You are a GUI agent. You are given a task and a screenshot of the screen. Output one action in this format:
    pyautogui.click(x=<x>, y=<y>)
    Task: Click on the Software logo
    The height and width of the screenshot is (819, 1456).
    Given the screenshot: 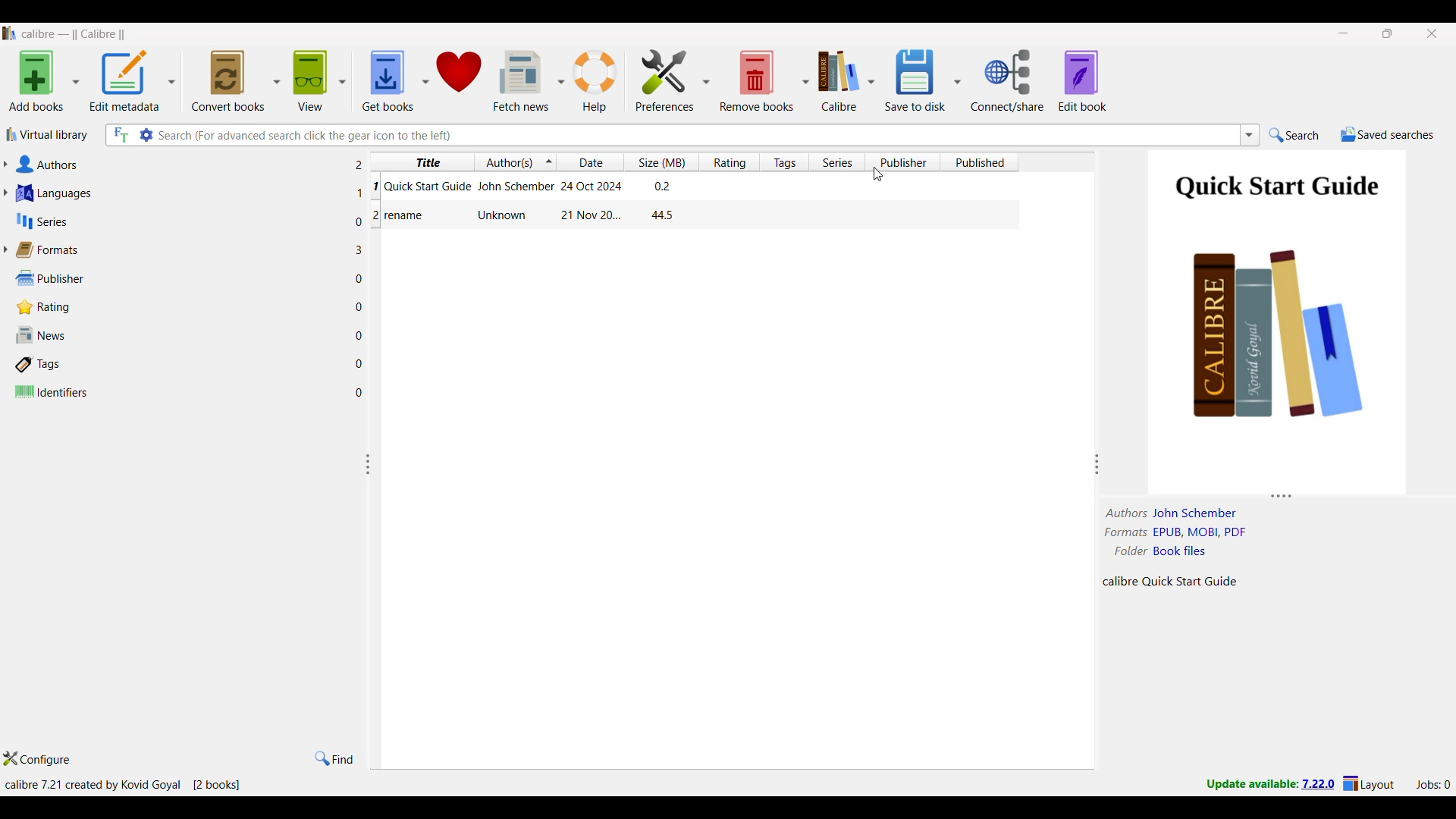 What is the action you would take?
    pyautogui.click(x=10, y=33)
    